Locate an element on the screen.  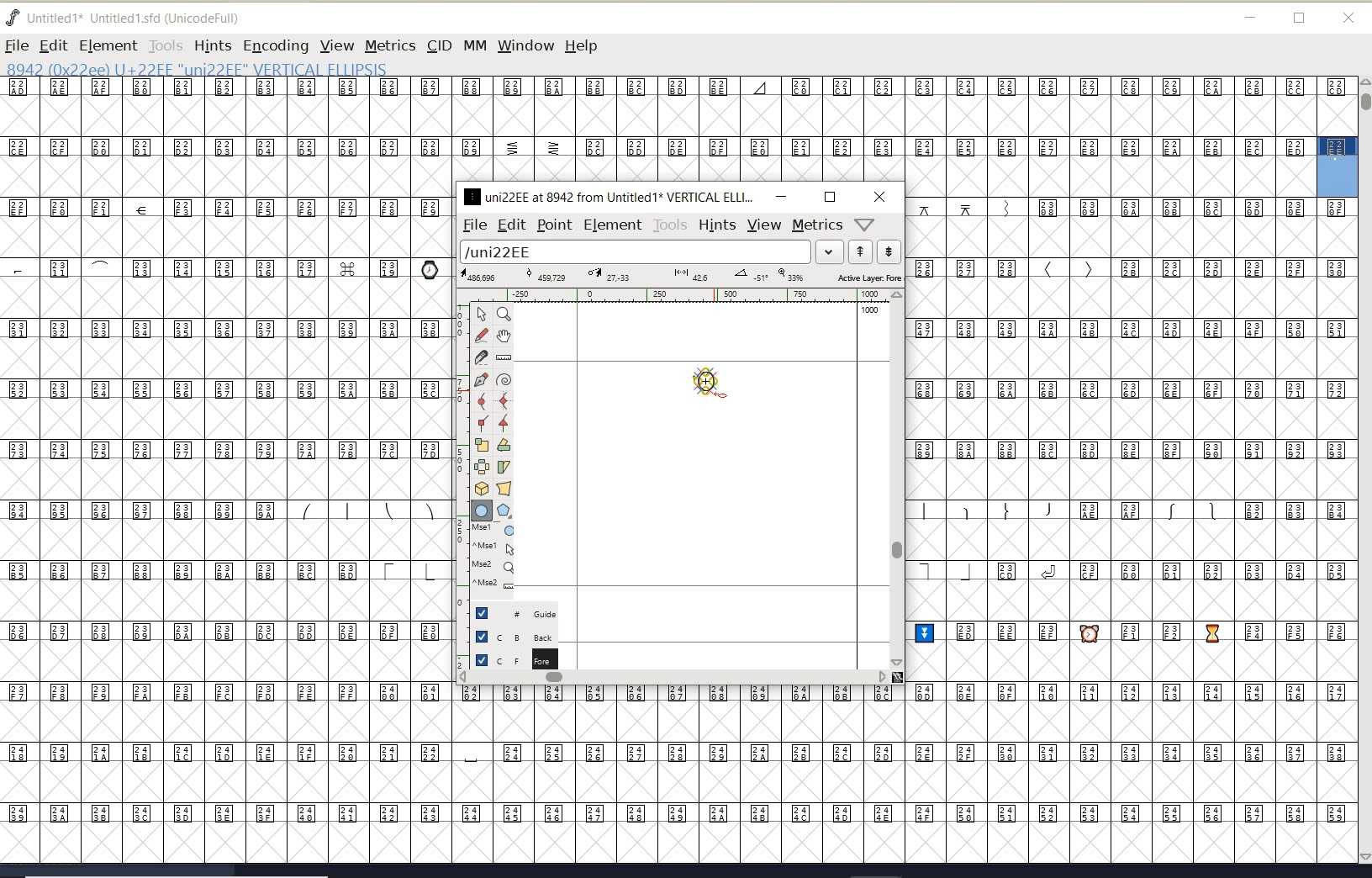
guide is located at coordinates (522, 611).